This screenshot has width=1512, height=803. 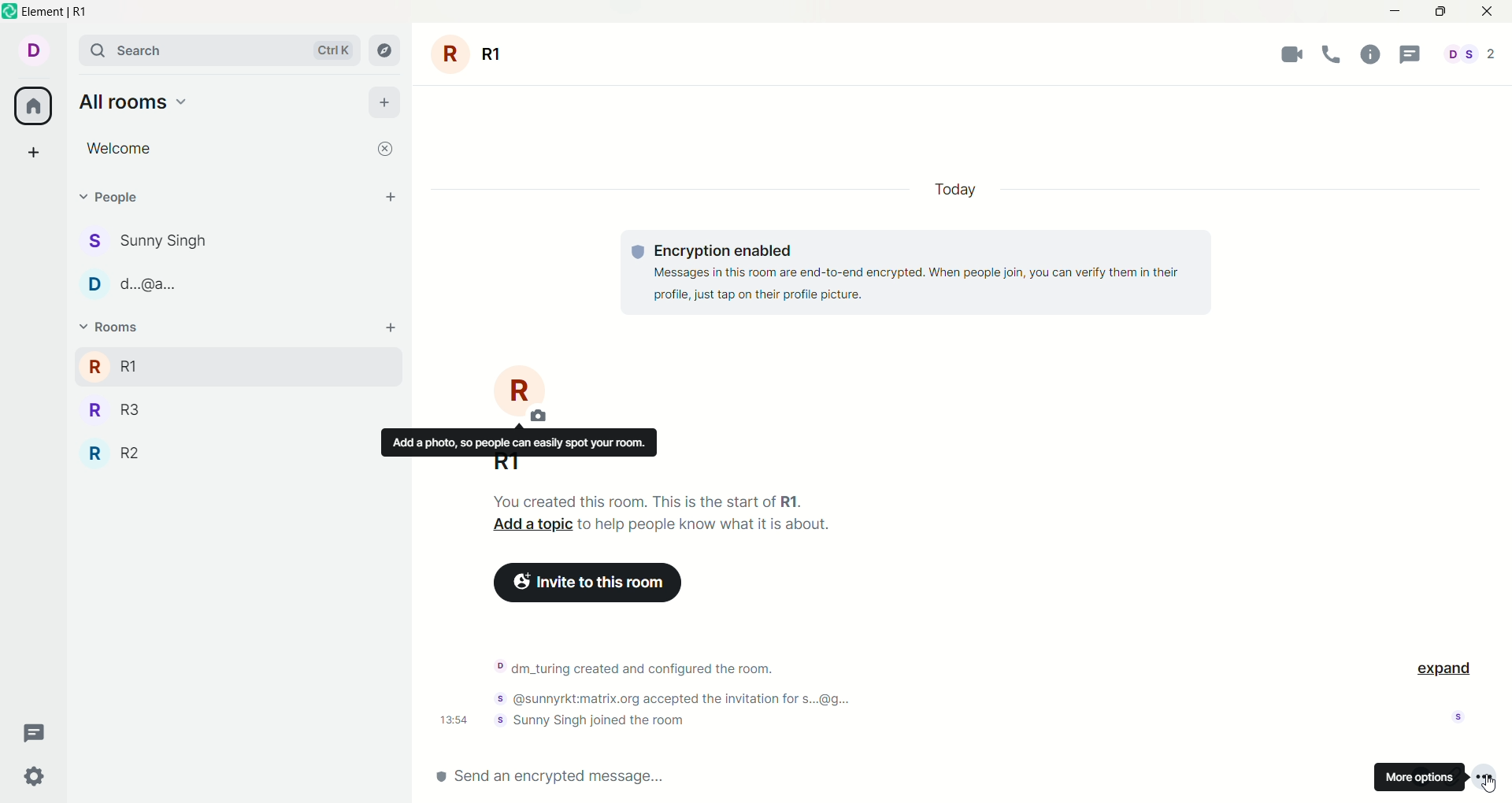 I want to click on text, so click(x=929, y=272).